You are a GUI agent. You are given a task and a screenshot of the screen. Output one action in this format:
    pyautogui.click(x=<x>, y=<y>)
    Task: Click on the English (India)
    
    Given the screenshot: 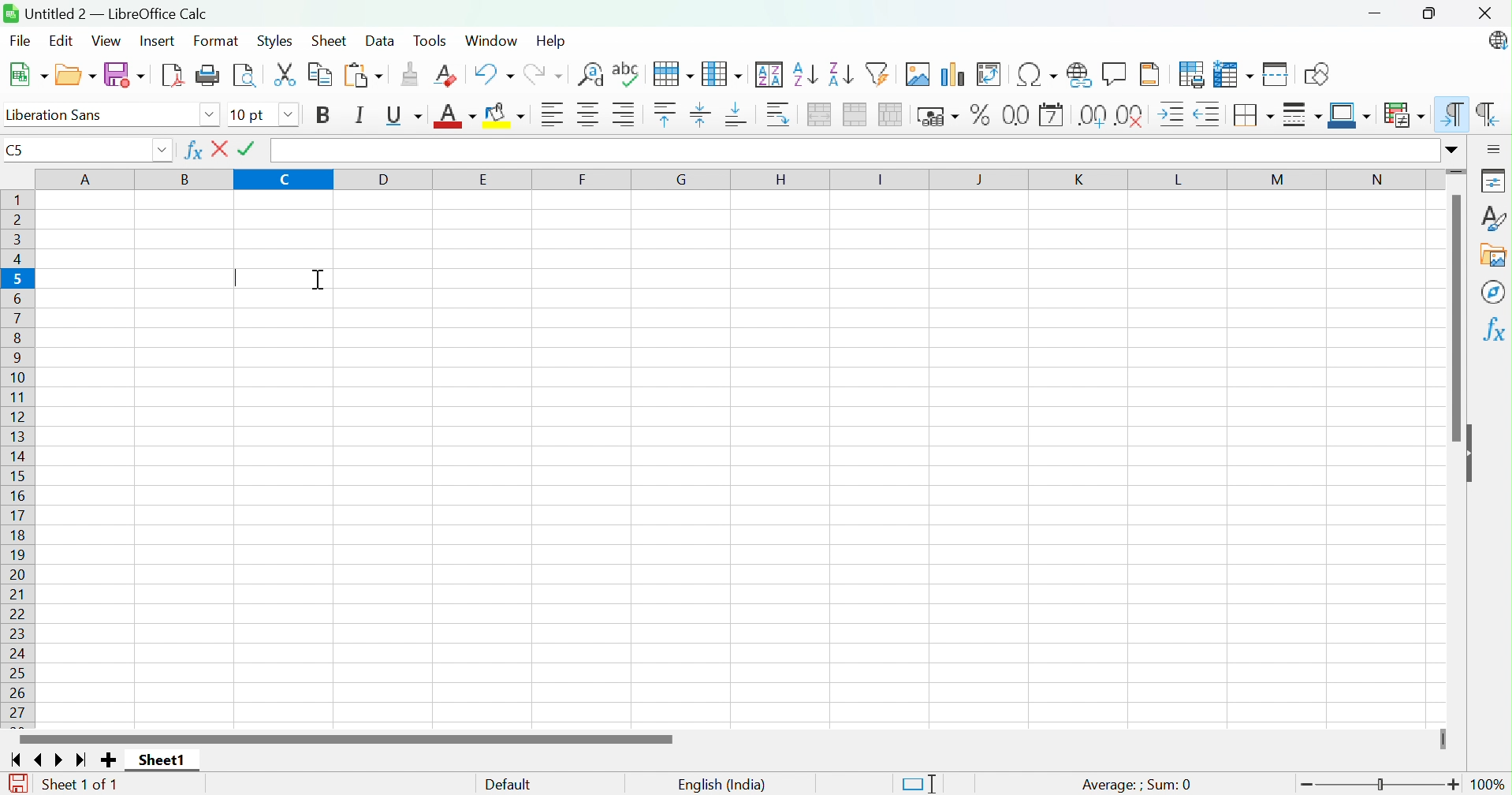 What is the action you would take?
    pyautogui.click(x=722, y=786)
    